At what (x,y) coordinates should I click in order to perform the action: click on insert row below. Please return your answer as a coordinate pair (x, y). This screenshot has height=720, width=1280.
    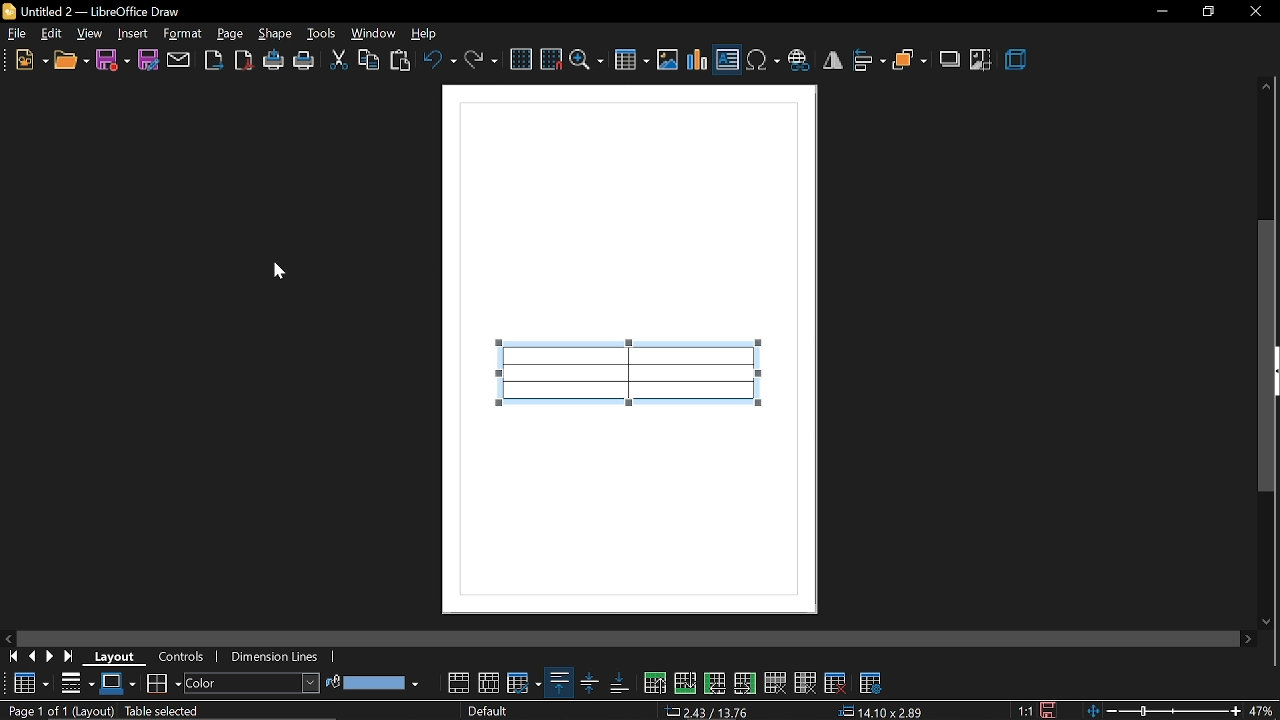
    Looking at the image, I should click on (654, 684).